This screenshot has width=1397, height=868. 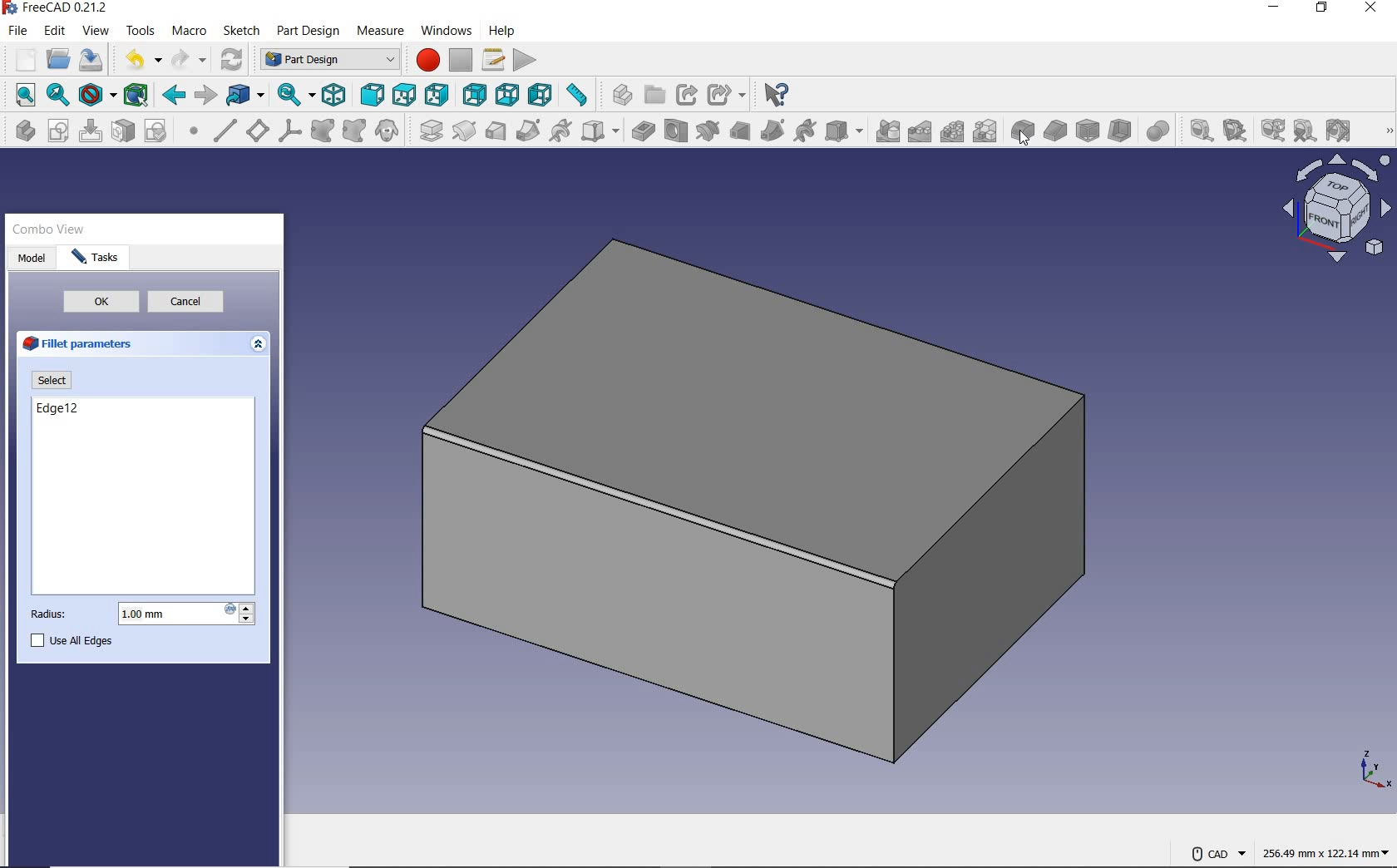 What do you see at coordinates (405, 93) in the screenshot?
I see `top` at bounding box center [405, 93].